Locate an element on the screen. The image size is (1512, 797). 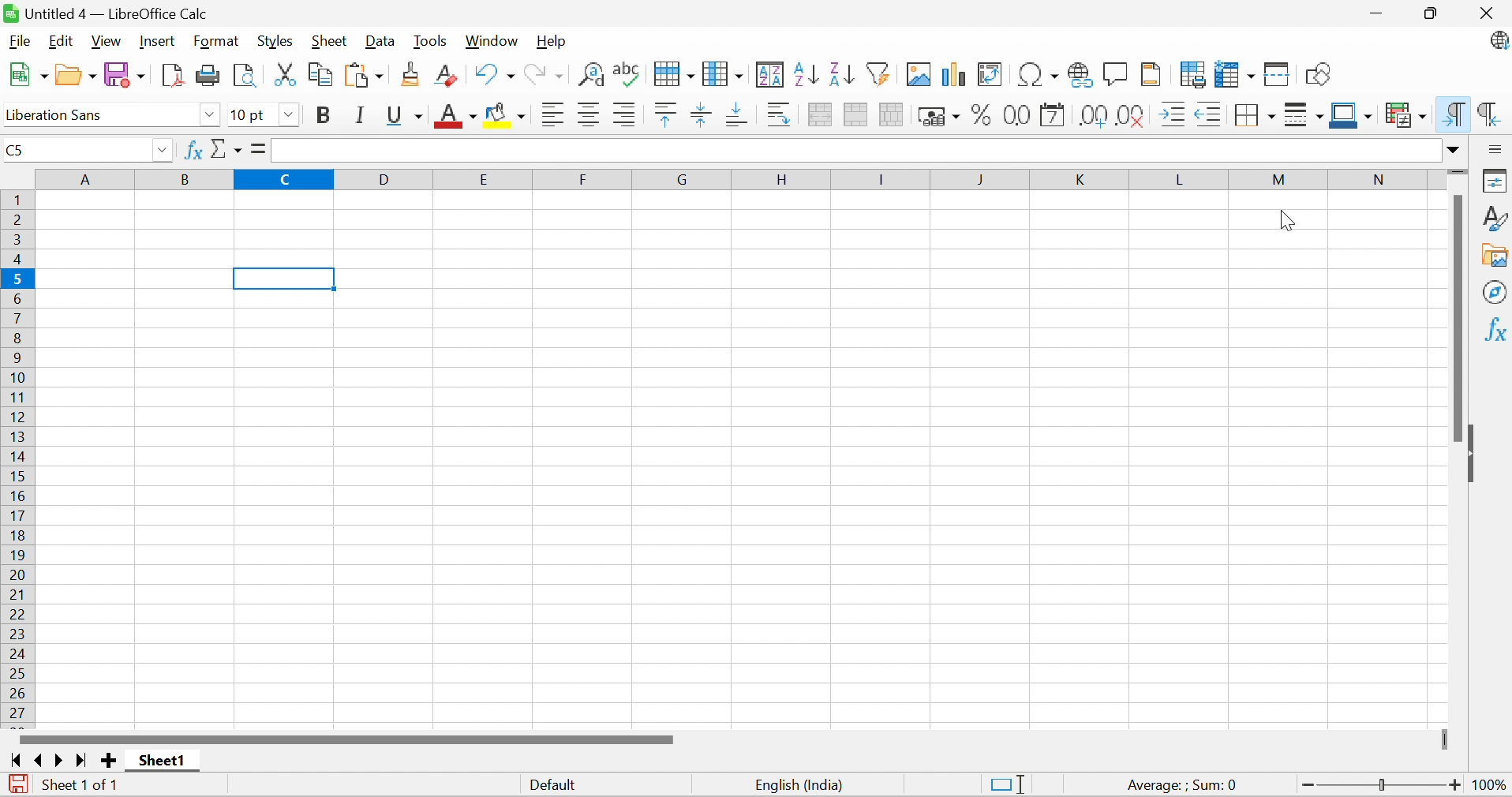
Underline is located at coordinates (405, 117).